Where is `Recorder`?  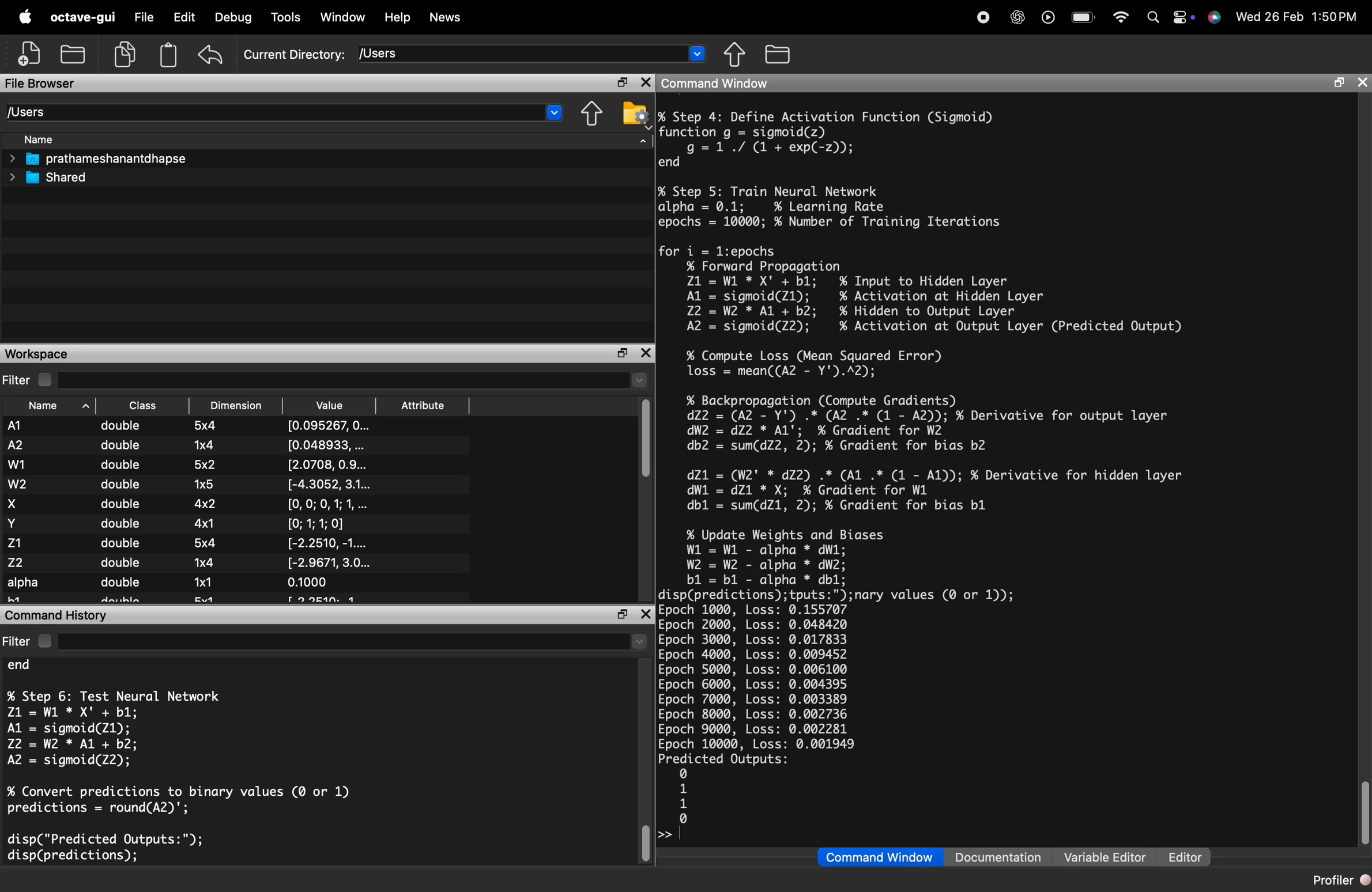 Recorder is located at coordinates (982, 17).